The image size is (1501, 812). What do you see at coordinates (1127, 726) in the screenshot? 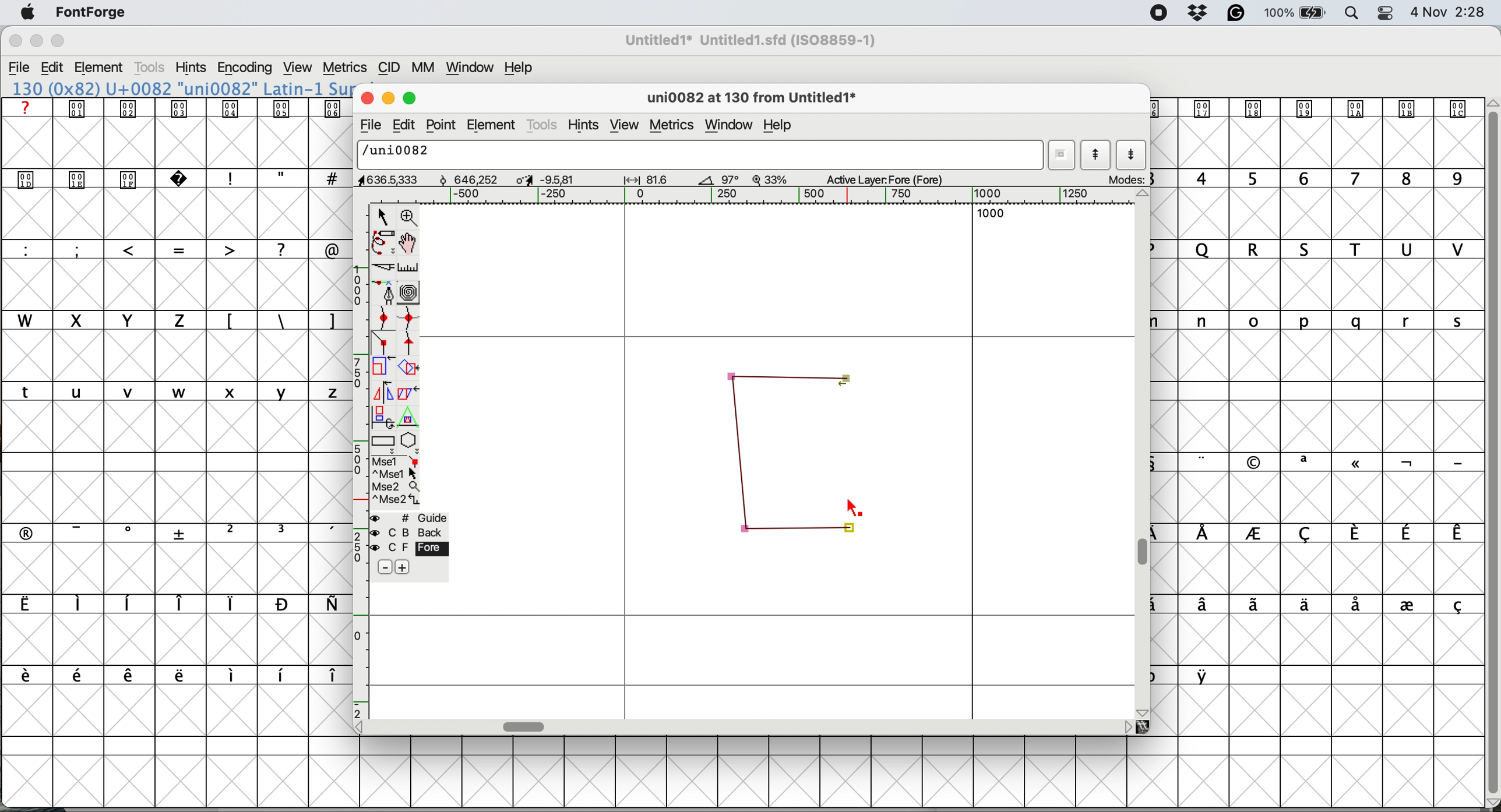
I see `scroll button` at bounding box center [1127, 726].